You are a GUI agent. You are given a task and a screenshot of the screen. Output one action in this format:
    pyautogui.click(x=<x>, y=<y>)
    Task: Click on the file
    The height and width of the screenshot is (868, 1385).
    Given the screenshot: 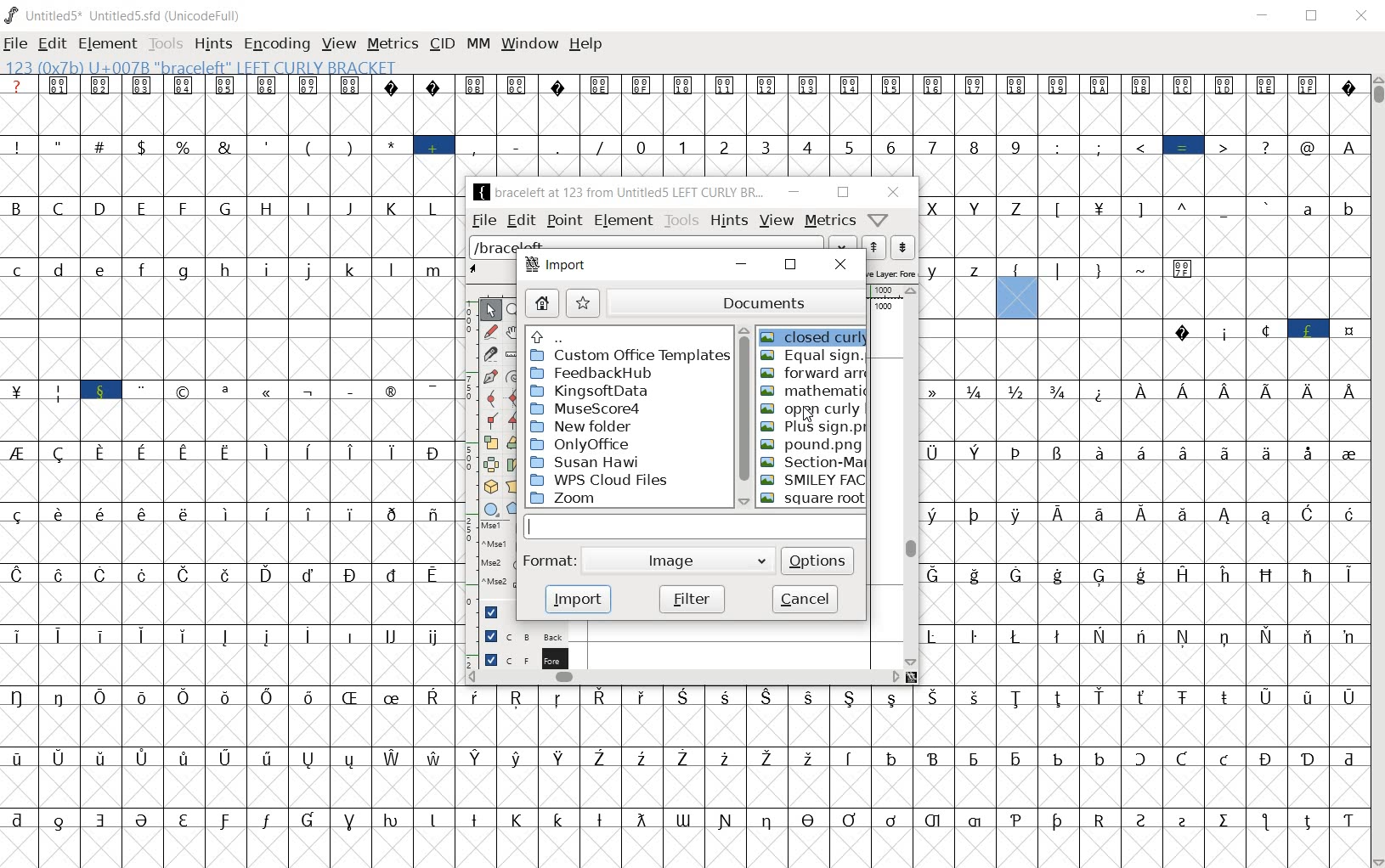 What is the action you would take?
    pyautogui.click(x=485, y=220)
    